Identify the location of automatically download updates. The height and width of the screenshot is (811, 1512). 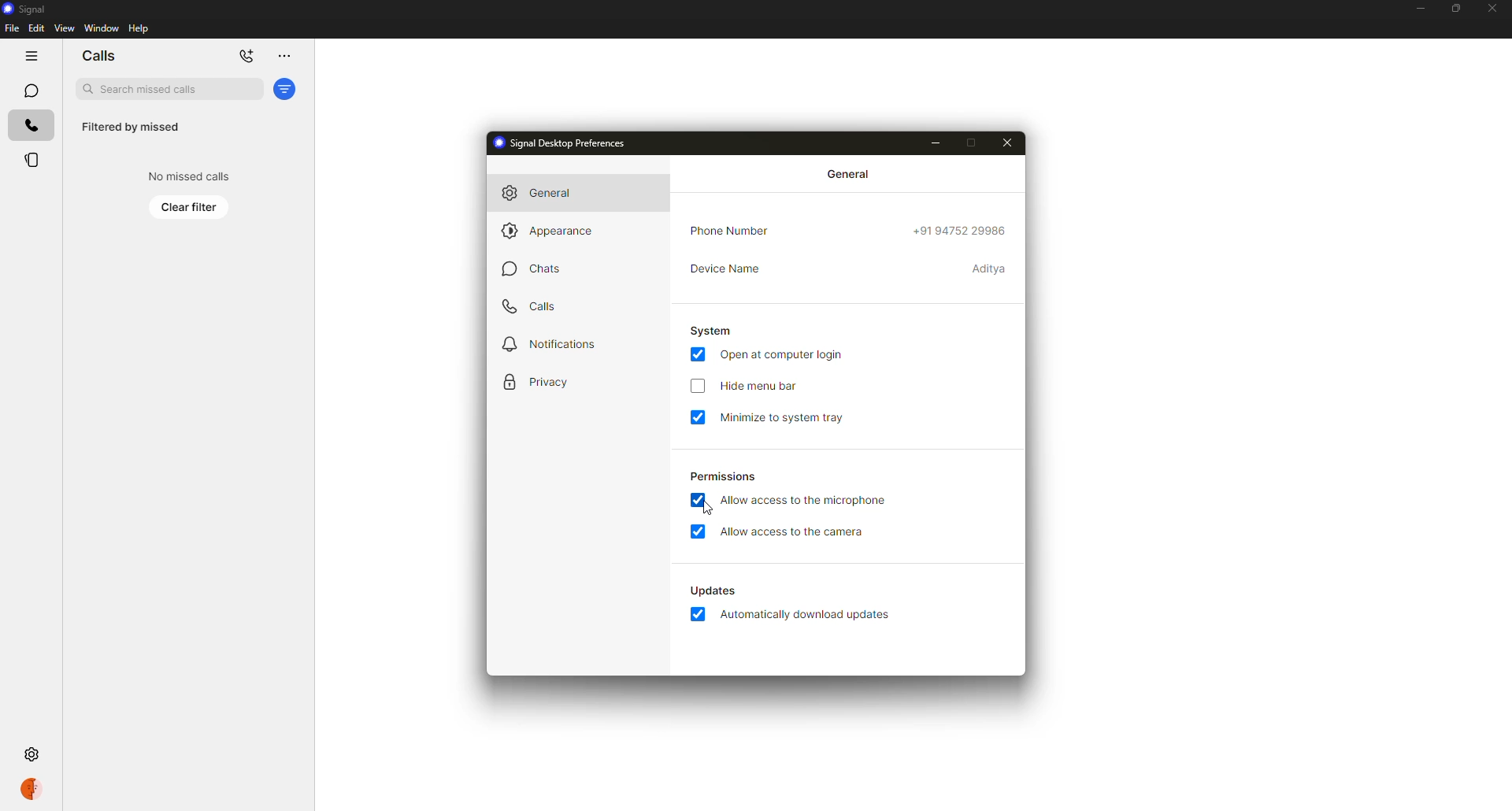
(806, 615).